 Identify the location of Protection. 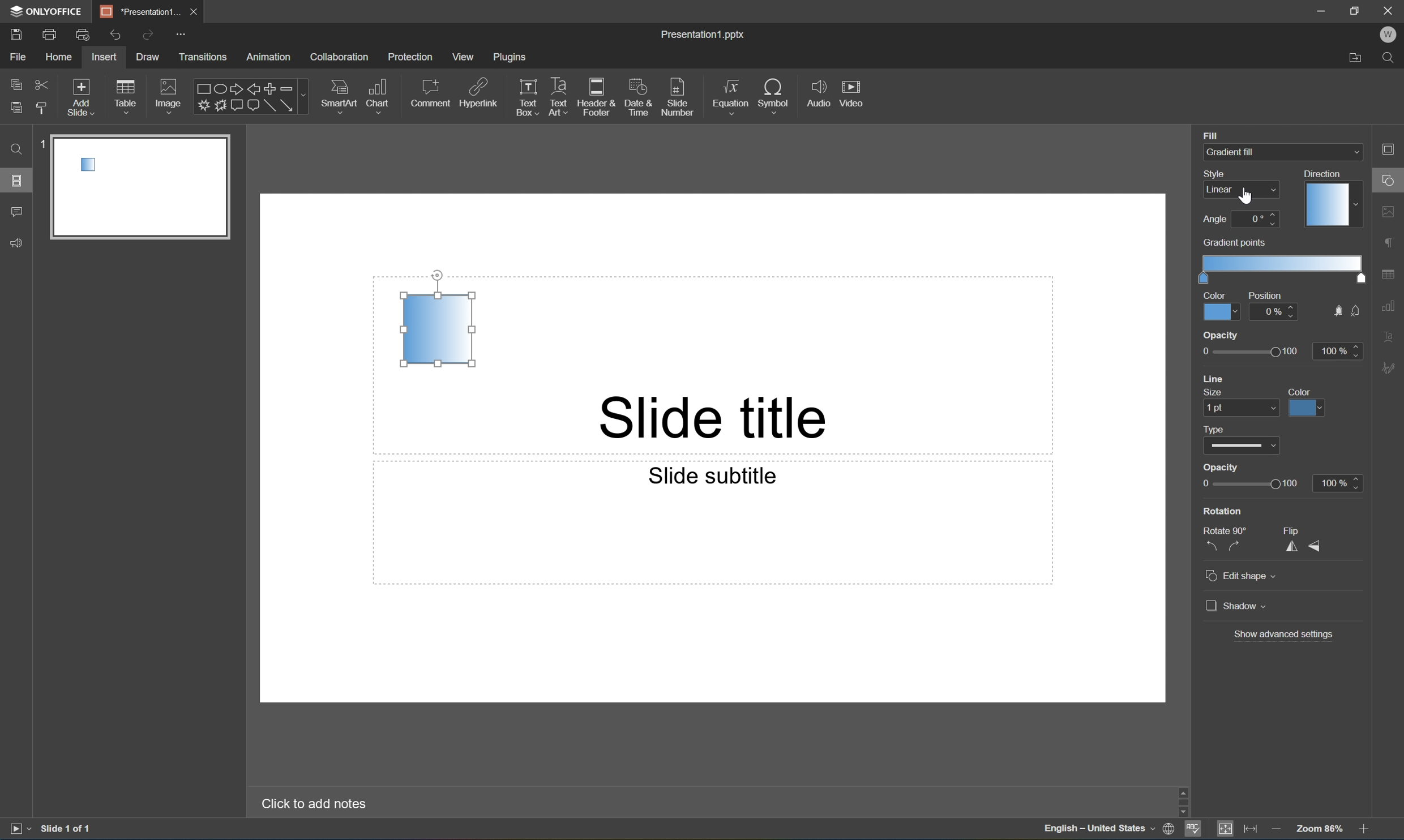
(410, 57).